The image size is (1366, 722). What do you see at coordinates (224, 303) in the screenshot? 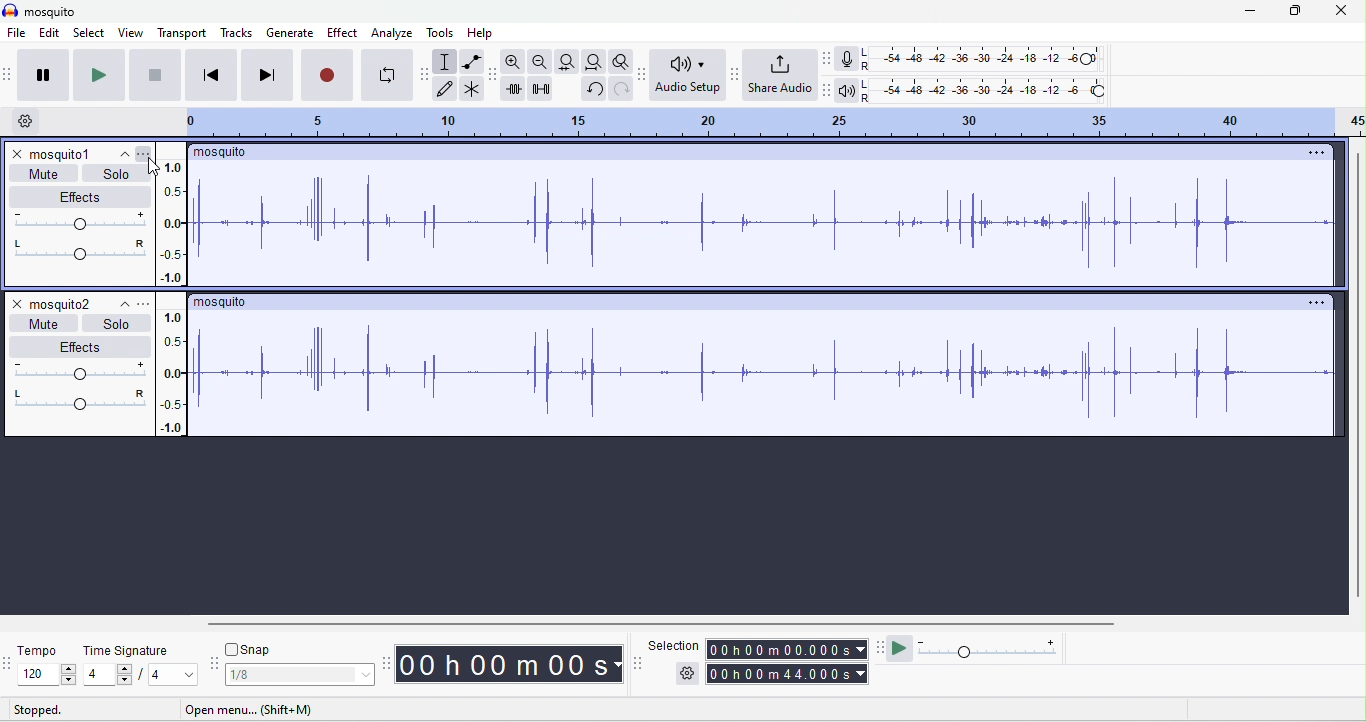
I see `title ` at bounding box center [224, 303].